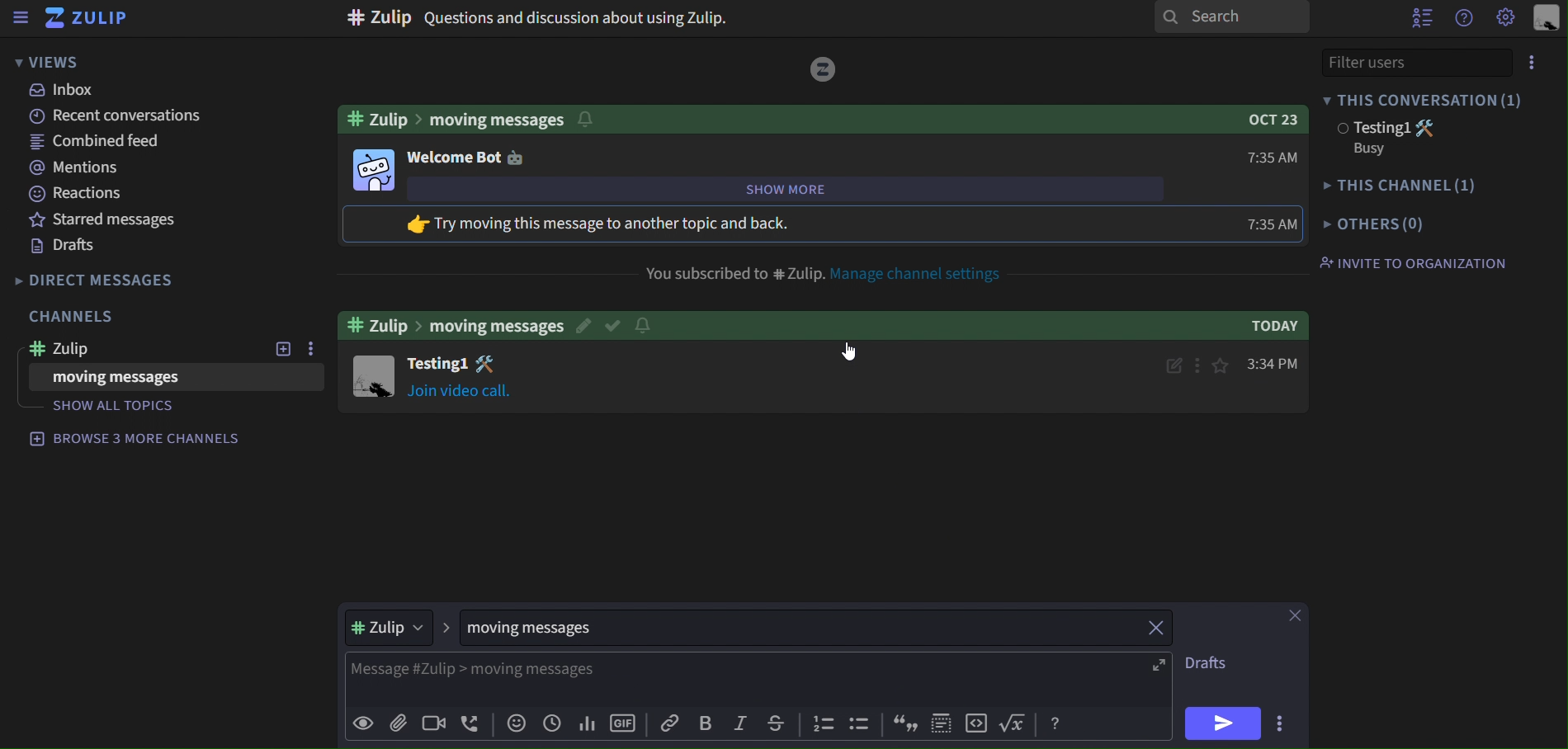  Describe the element at coordinates (1407, 138) in the screenshot. I see `testing1 Busy` at that location.